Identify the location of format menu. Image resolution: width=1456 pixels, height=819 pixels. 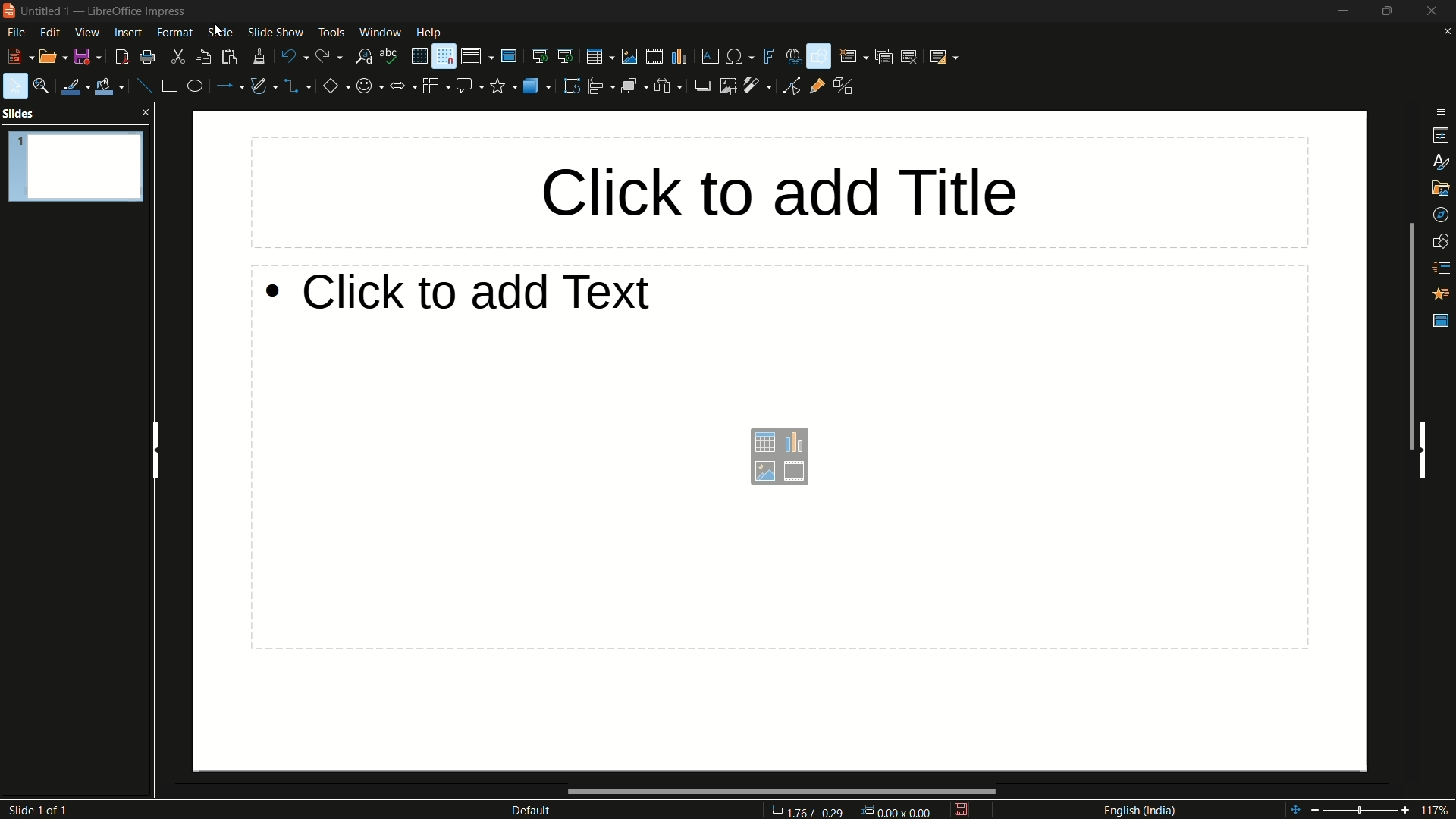
(174, 33).